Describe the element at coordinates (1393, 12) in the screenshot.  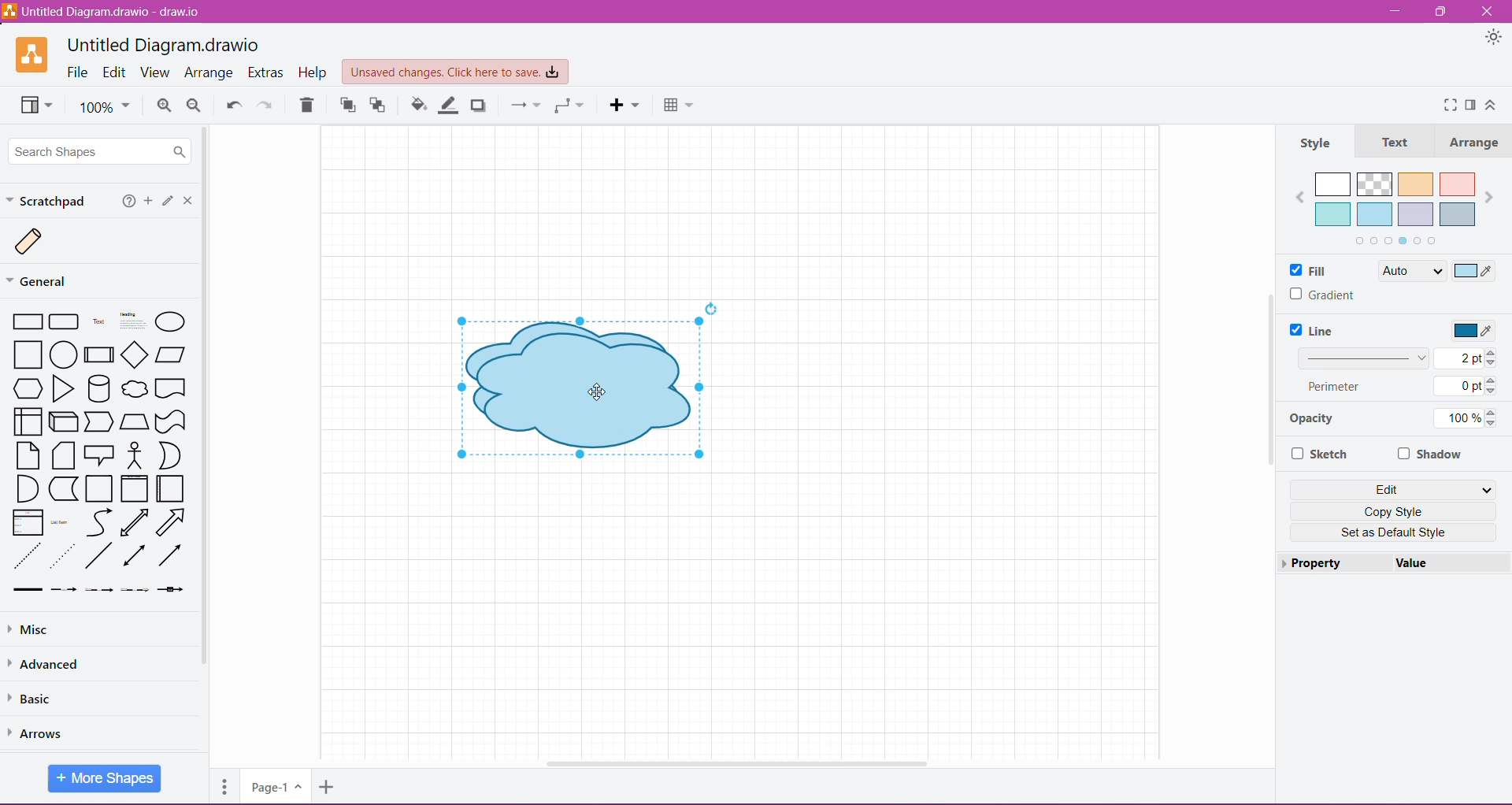
I see `Minimize` at that location.